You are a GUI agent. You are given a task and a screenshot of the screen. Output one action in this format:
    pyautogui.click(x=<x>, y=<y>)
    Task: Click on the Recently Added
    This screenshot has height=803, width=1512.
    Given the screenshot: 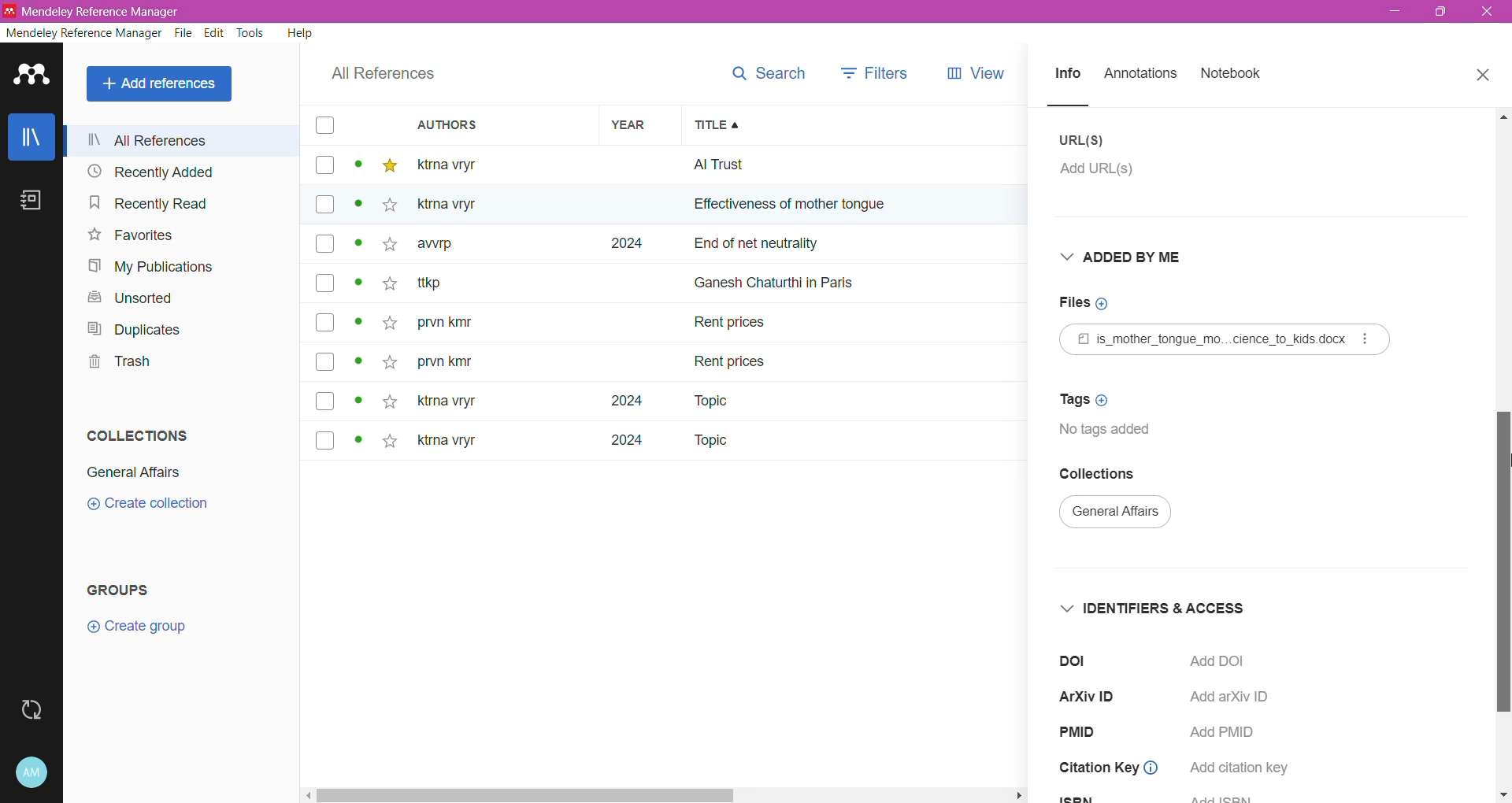 What is the action you would take?
    pyautogui.click(x=176, y=171)
    